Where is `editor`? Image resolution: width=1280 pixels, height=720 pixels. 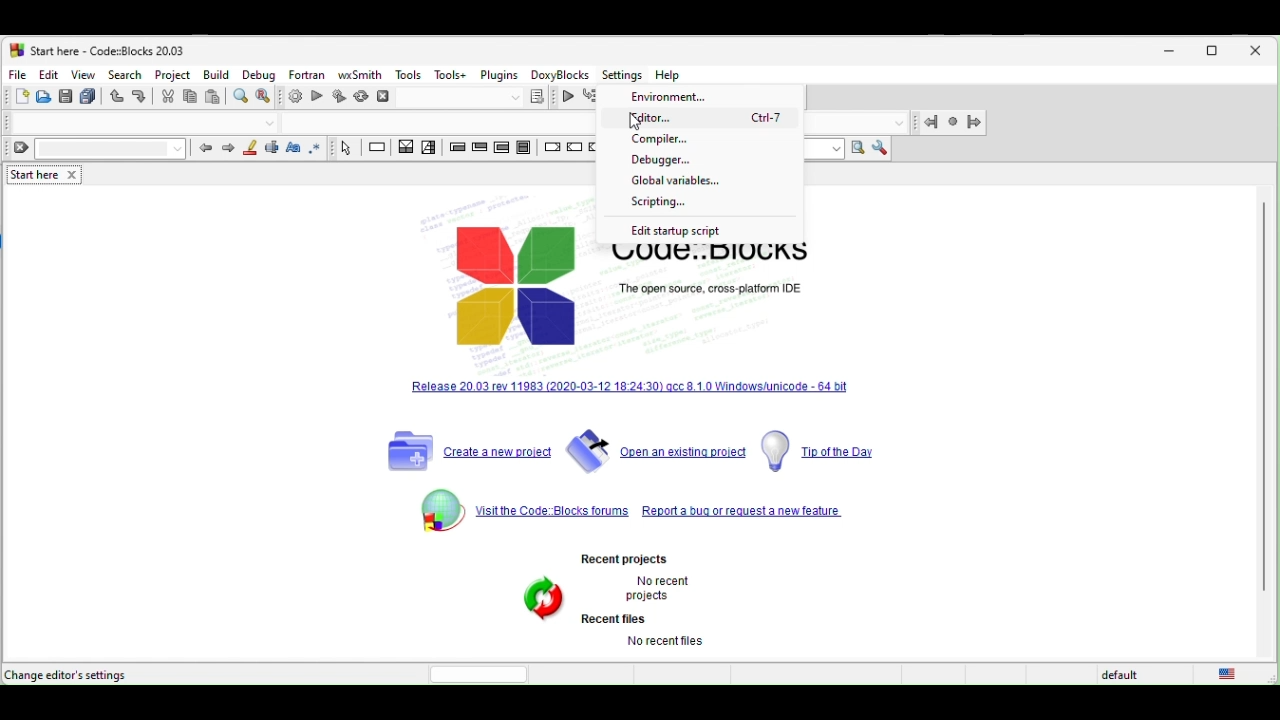 editor is located at coordinates (697, 119).